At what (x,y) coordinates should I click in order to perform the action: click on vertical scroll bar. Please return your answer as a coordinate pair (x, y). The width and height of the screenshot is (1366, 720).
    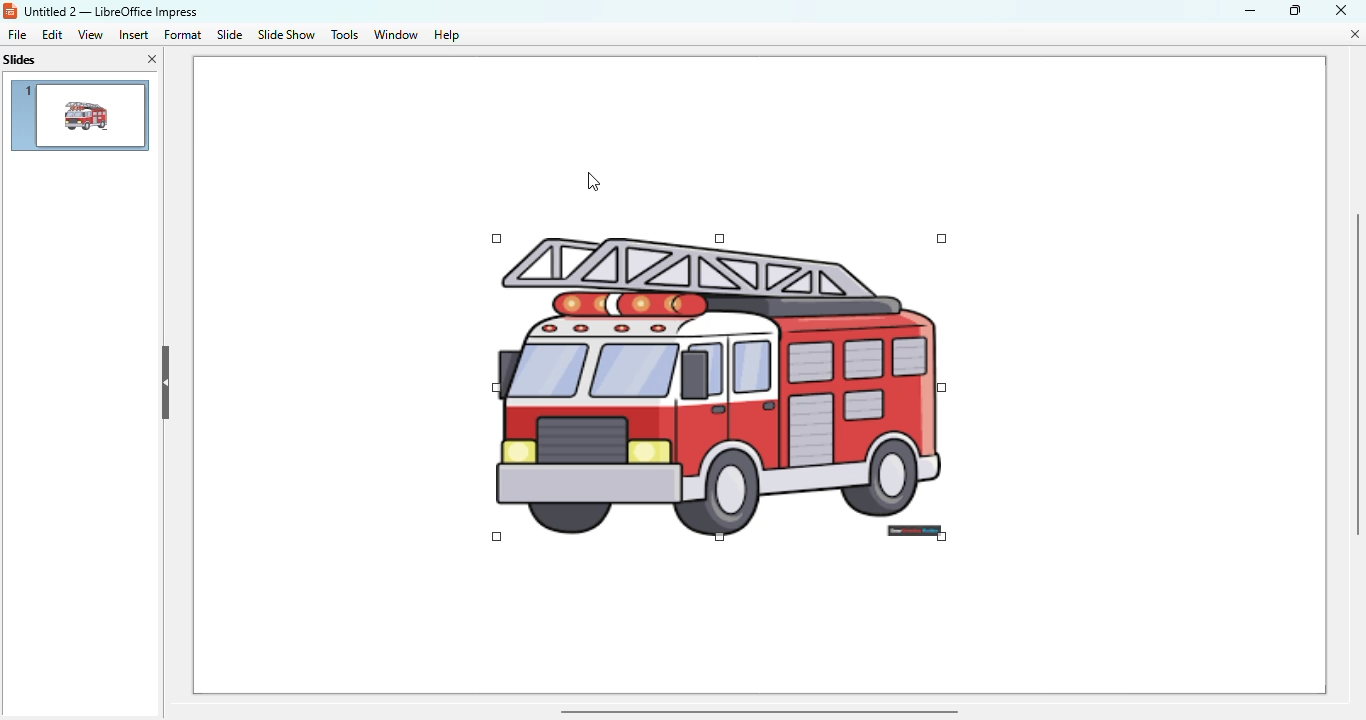
    Looking at the image, I should click on (1355, 375).